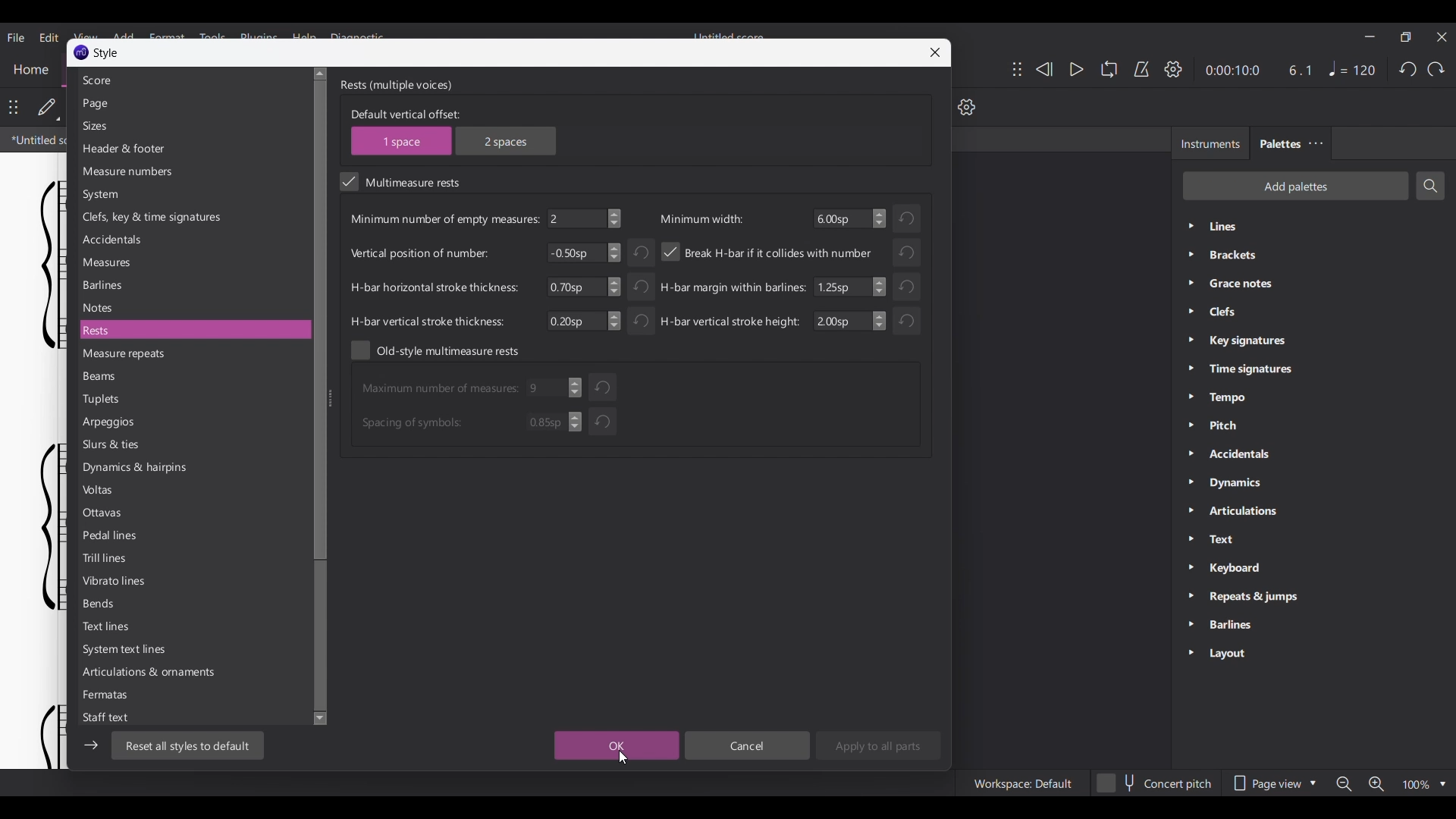 This screenshot has width=1456, height=819. I want to click on Score, so click(193, 80).